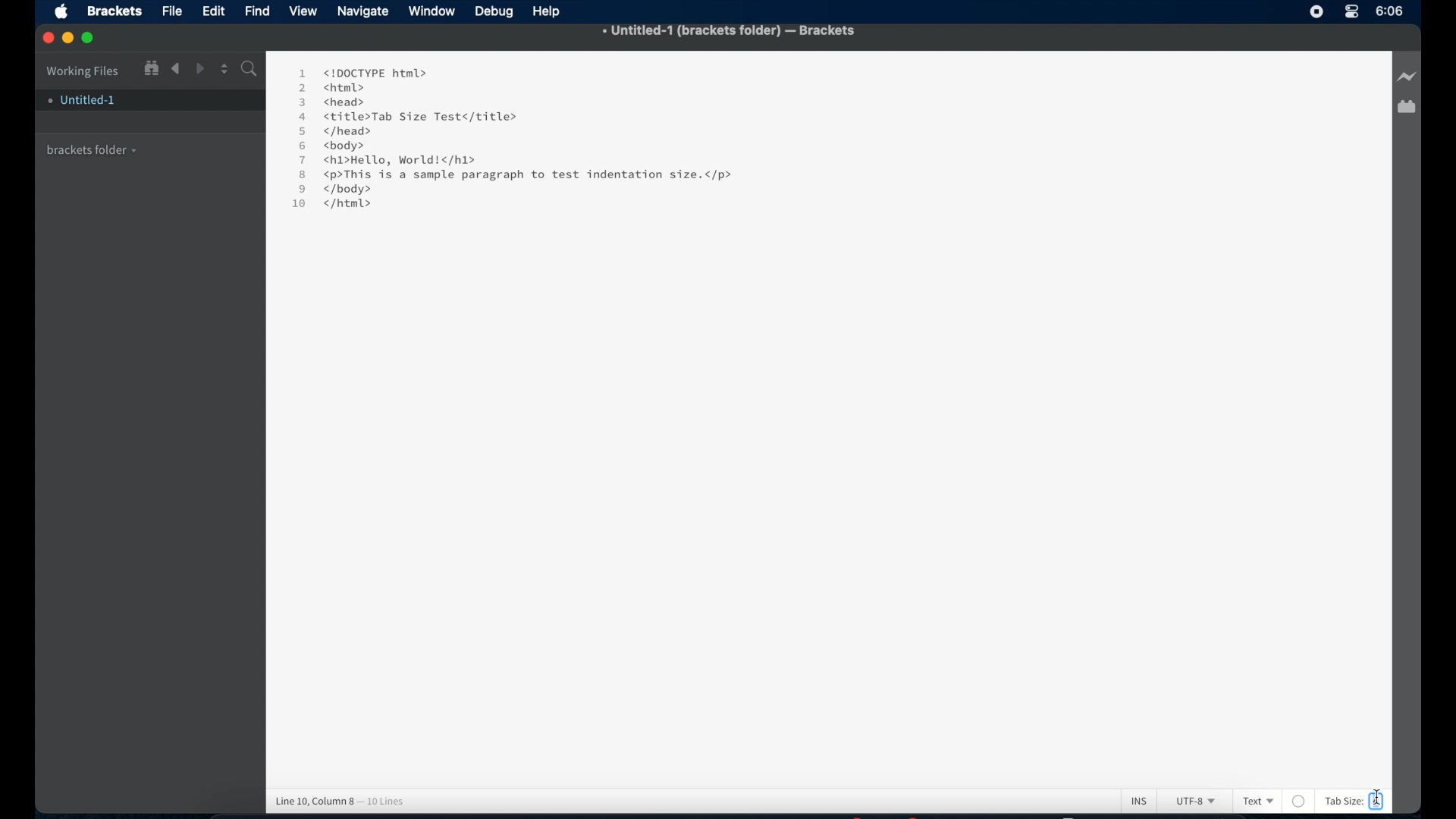  Describe the element at coordinates (334, 101) in the screenshot. I see `3 <head>` at that location.